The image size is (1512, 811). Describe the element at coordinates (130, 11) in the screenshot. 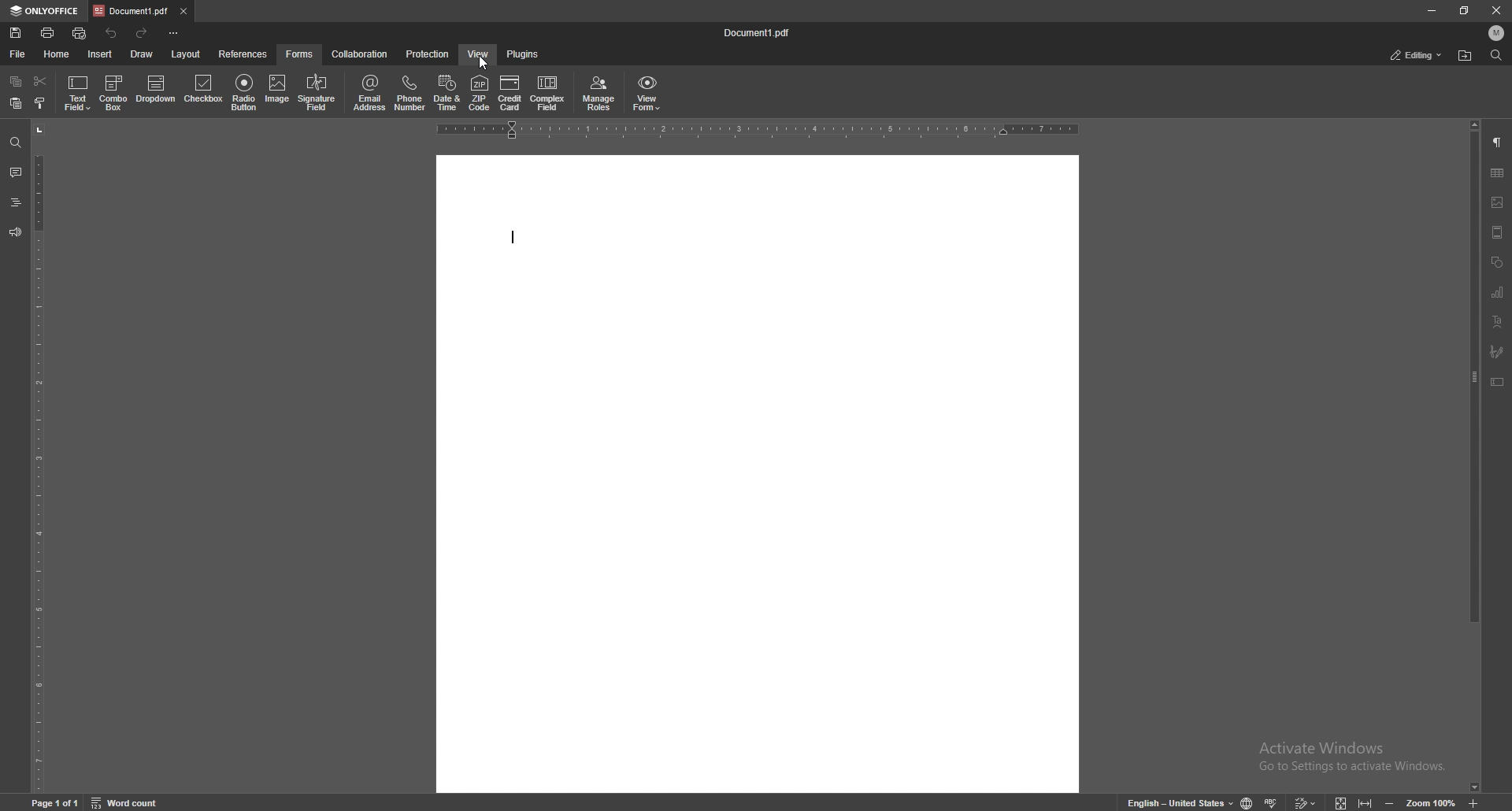

I see `tab` at that location.